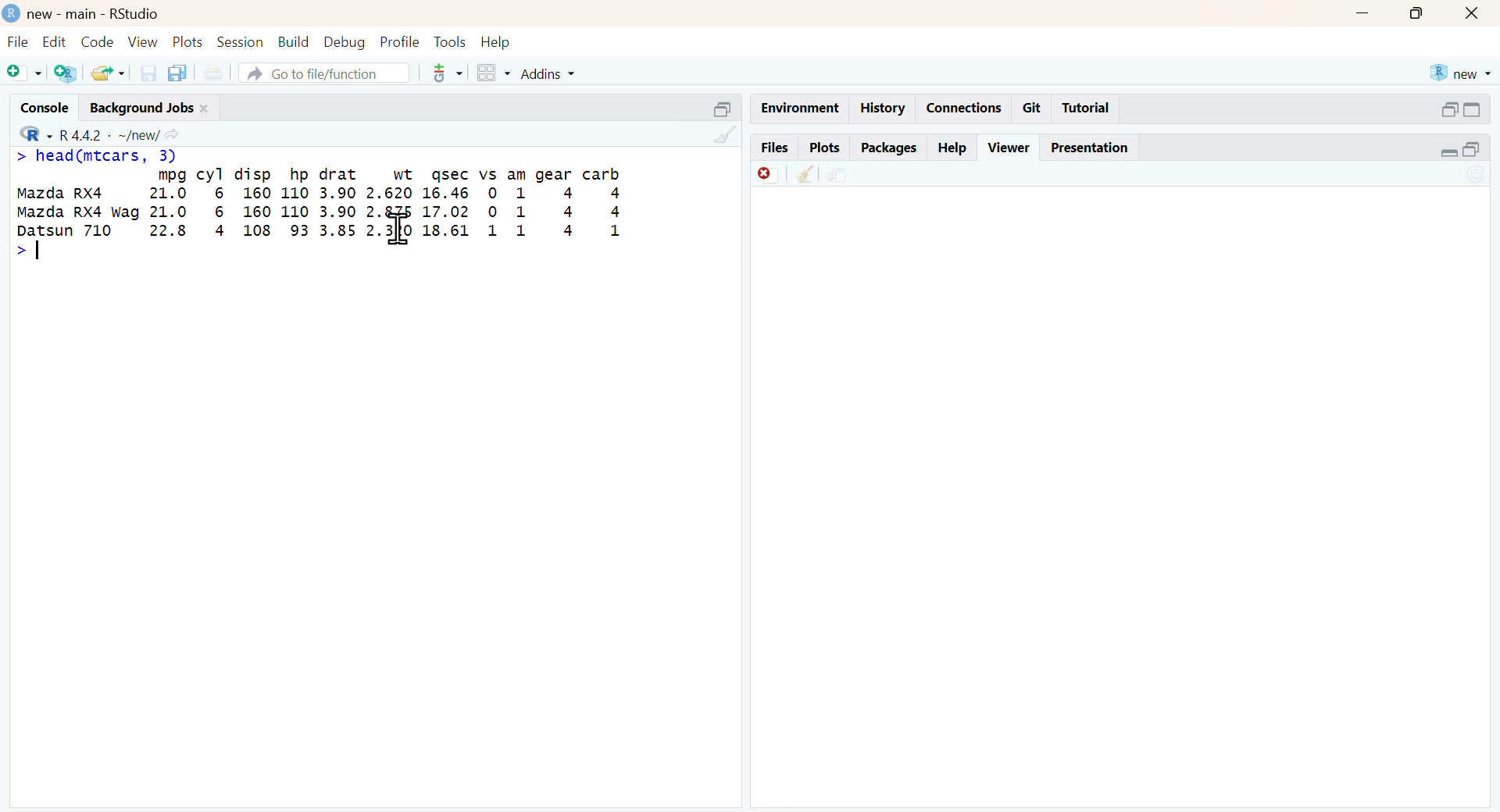 This screenshot has height=812, width=1500. What do you see at coordinates (144, 72) in the screenshot?
I see `Save current doc` at bounding box center [144, 72].